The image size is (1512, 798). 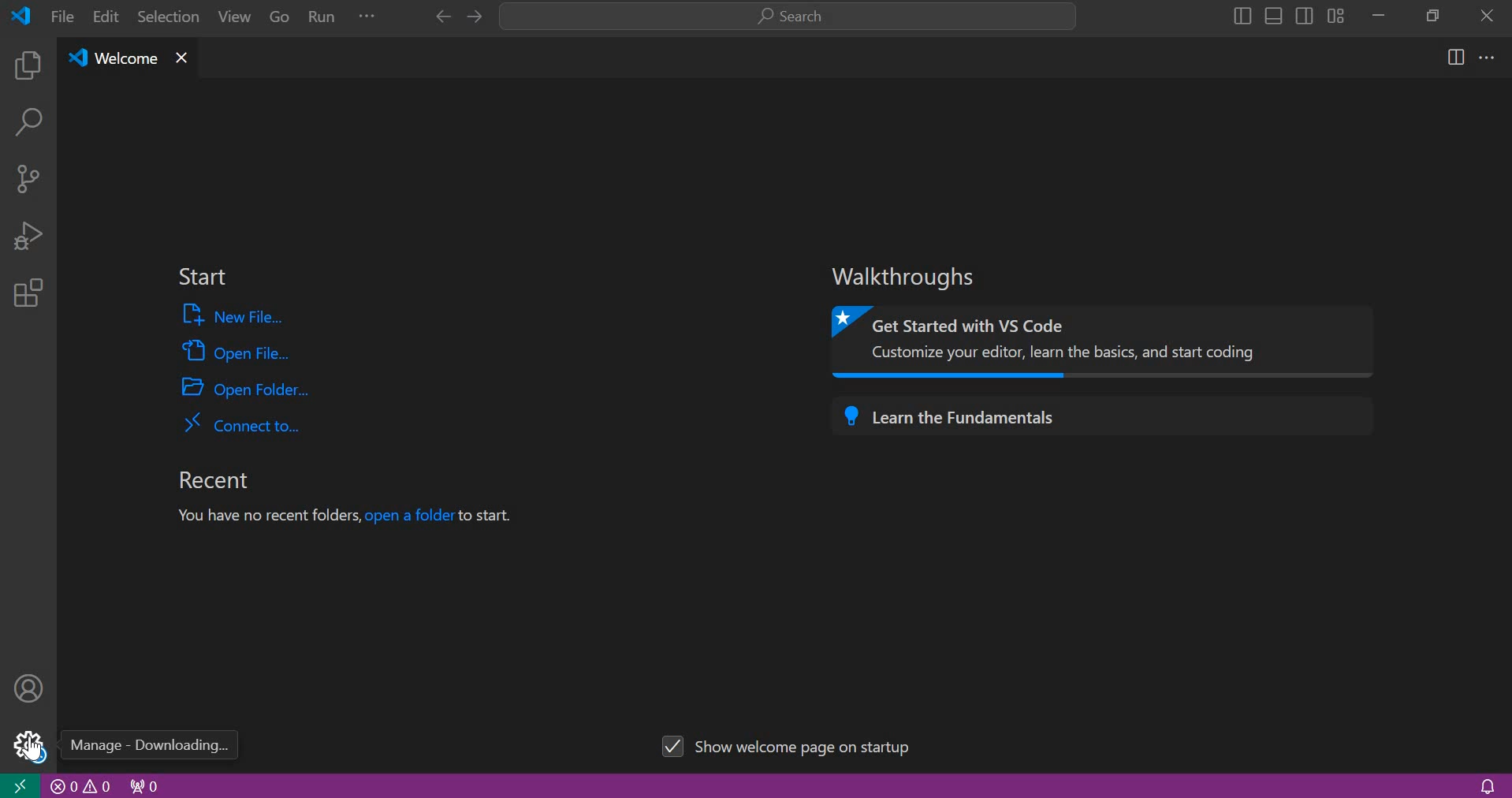 I want to click on new file, so click(x=236, y=315).